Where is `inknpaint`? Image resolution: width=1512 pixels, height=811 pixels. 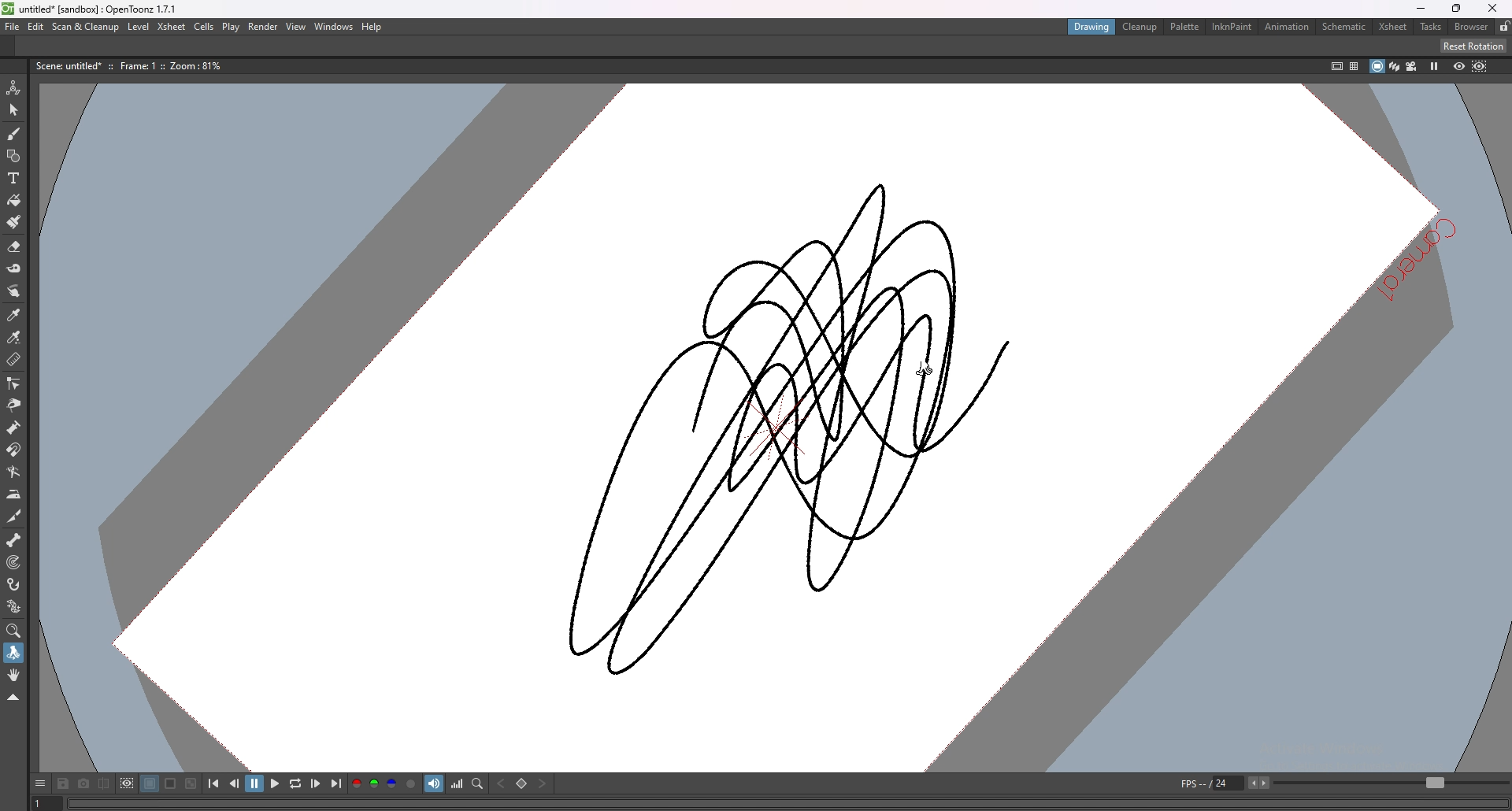
inknpaint is located at coordinates (1236, 26).